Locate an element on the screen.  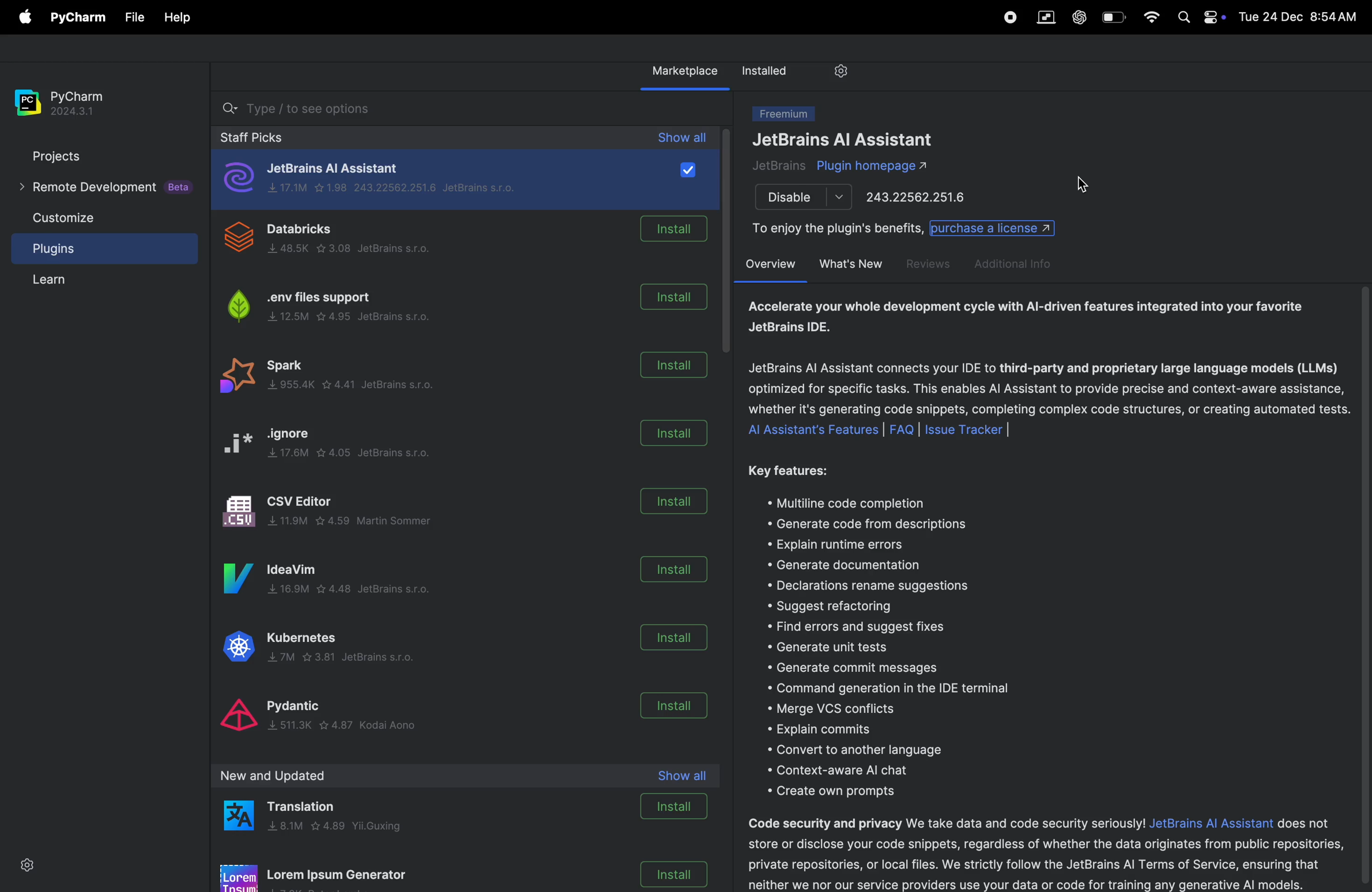
settings is located at coordinates (31, 864).